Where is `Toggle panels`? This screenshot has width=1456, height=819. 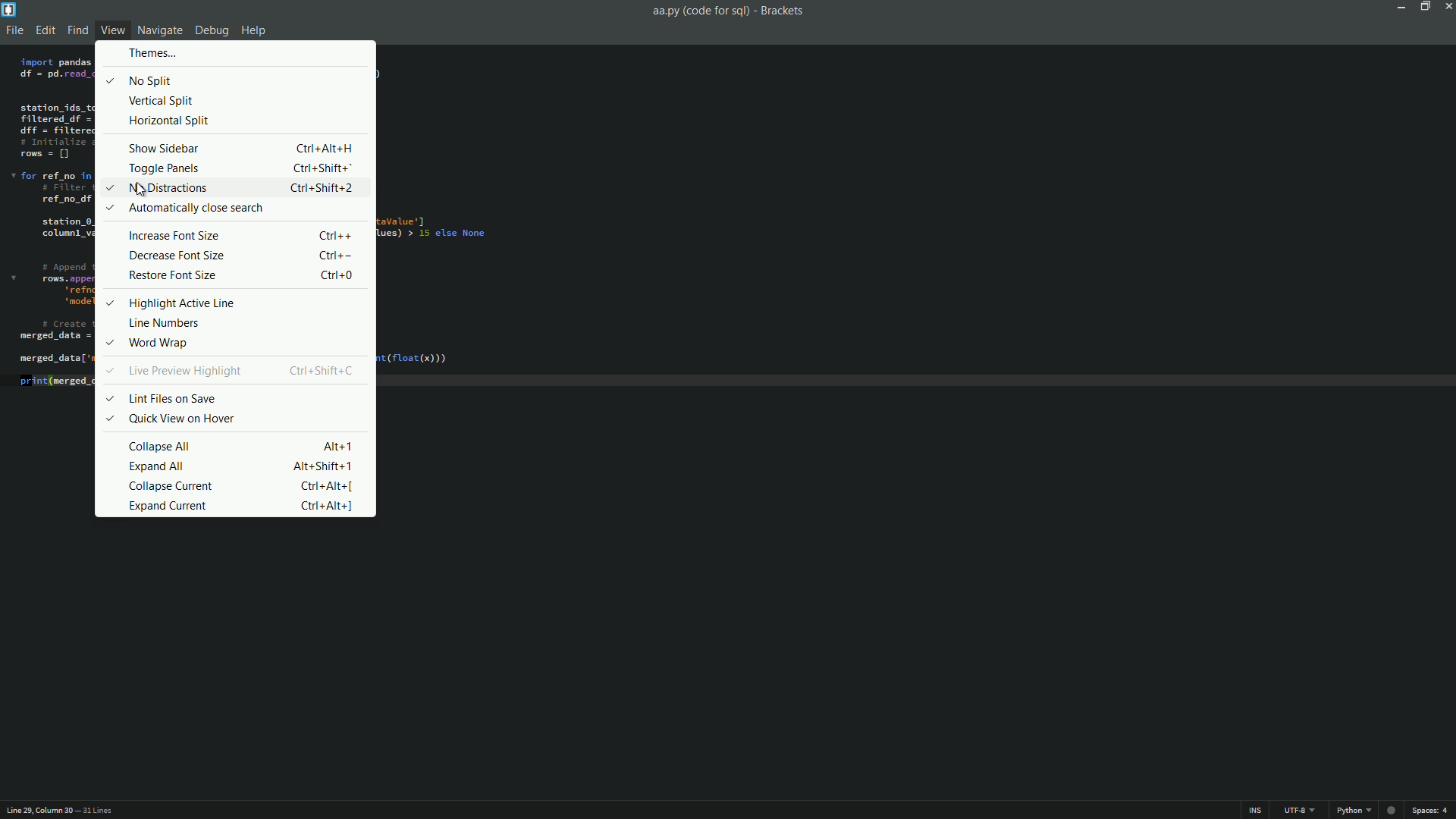
Toggle panels is located at coordinates (246, 168).